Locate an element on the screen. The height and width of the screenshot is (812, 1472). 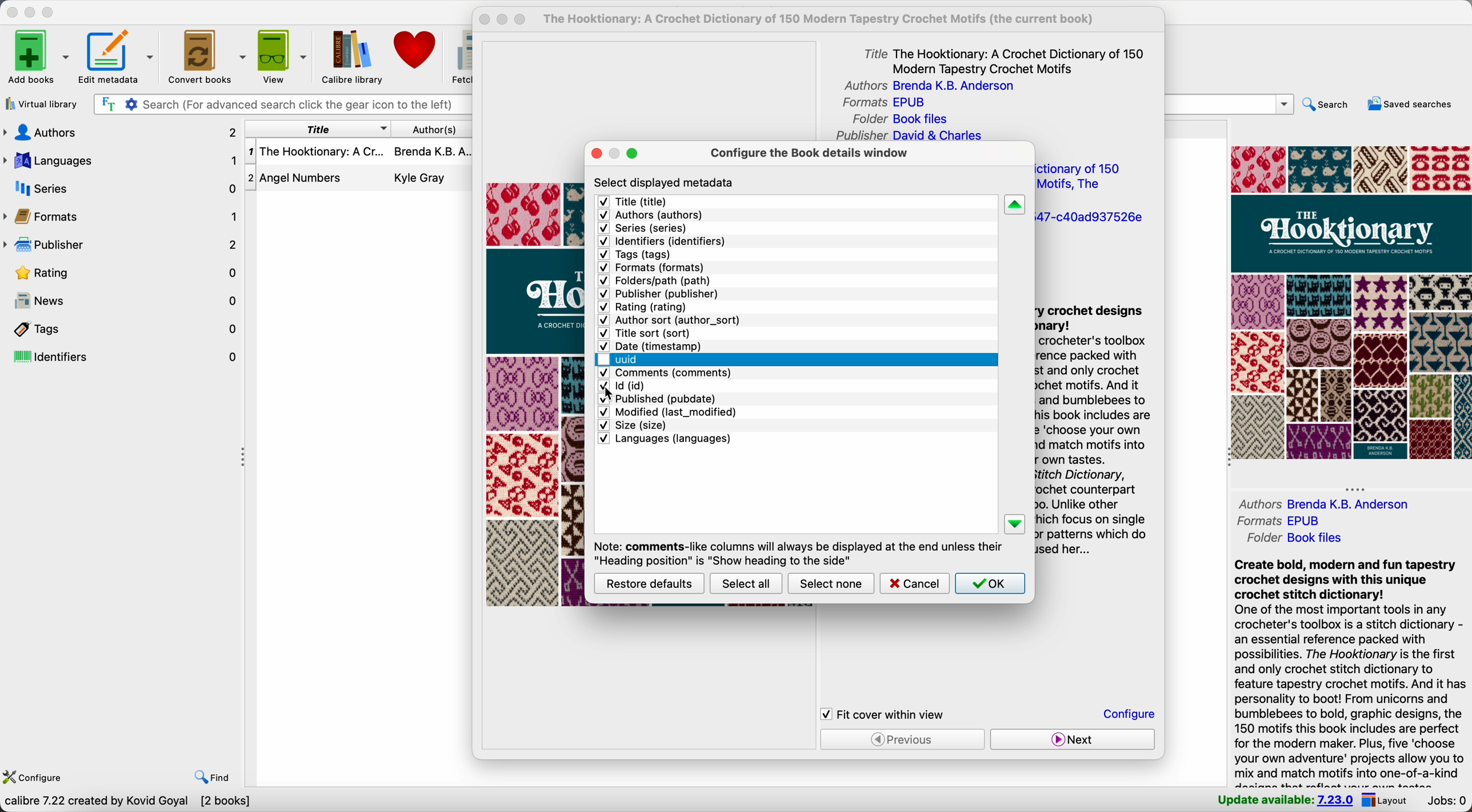
formats is located at coordinates (653, 267).